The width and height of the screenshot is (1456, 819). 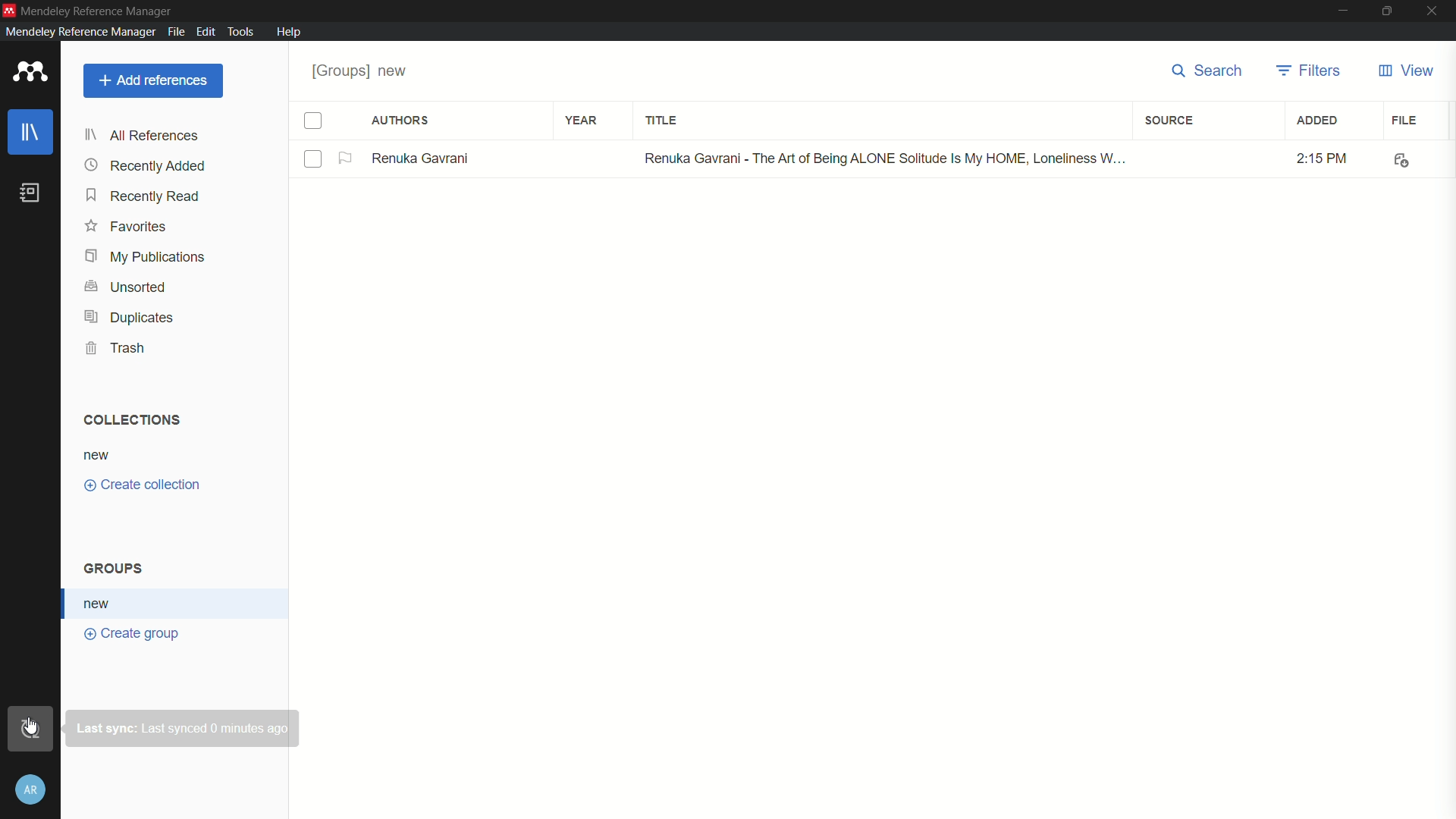 I want to click on unsorted, so click(x=127, y=287).